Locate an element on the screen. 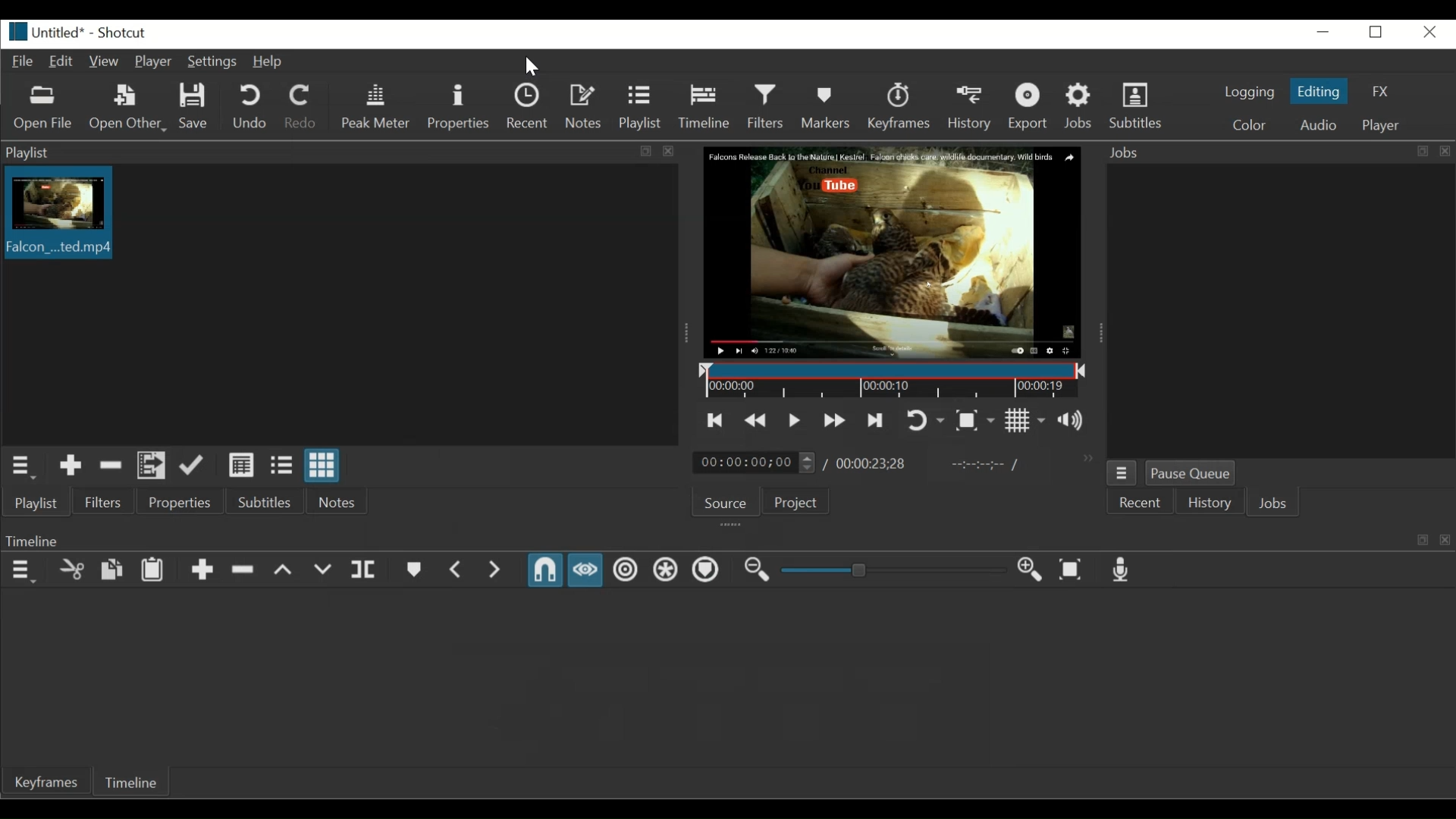 The width and height of the screenshot is (1456, 819). Subtitles is located at coordinates (1139, 106).